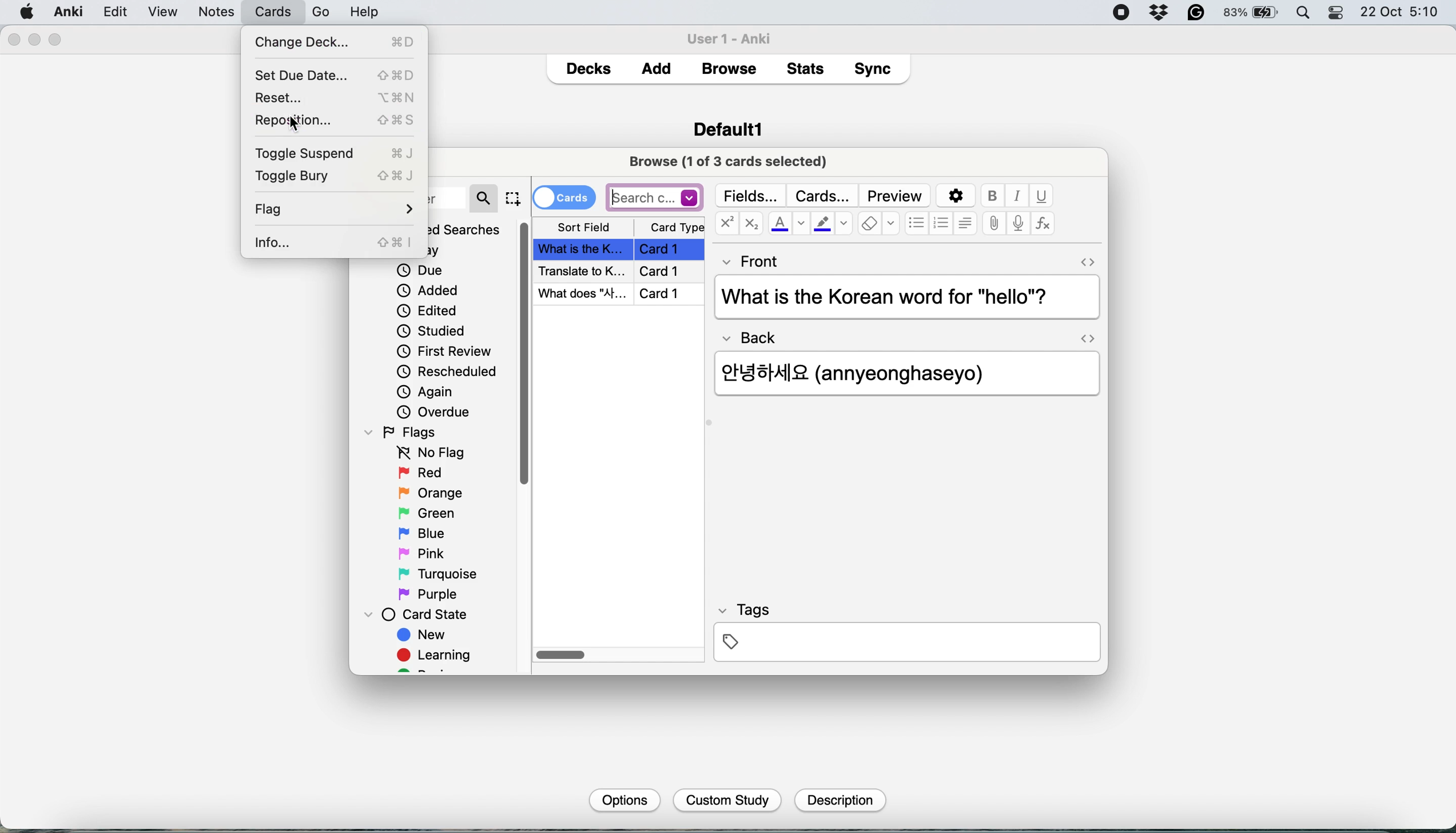  Describe the element at coordinates (526, 354) in the screenshot. I see `side bar vertical scroll bar` at that location.